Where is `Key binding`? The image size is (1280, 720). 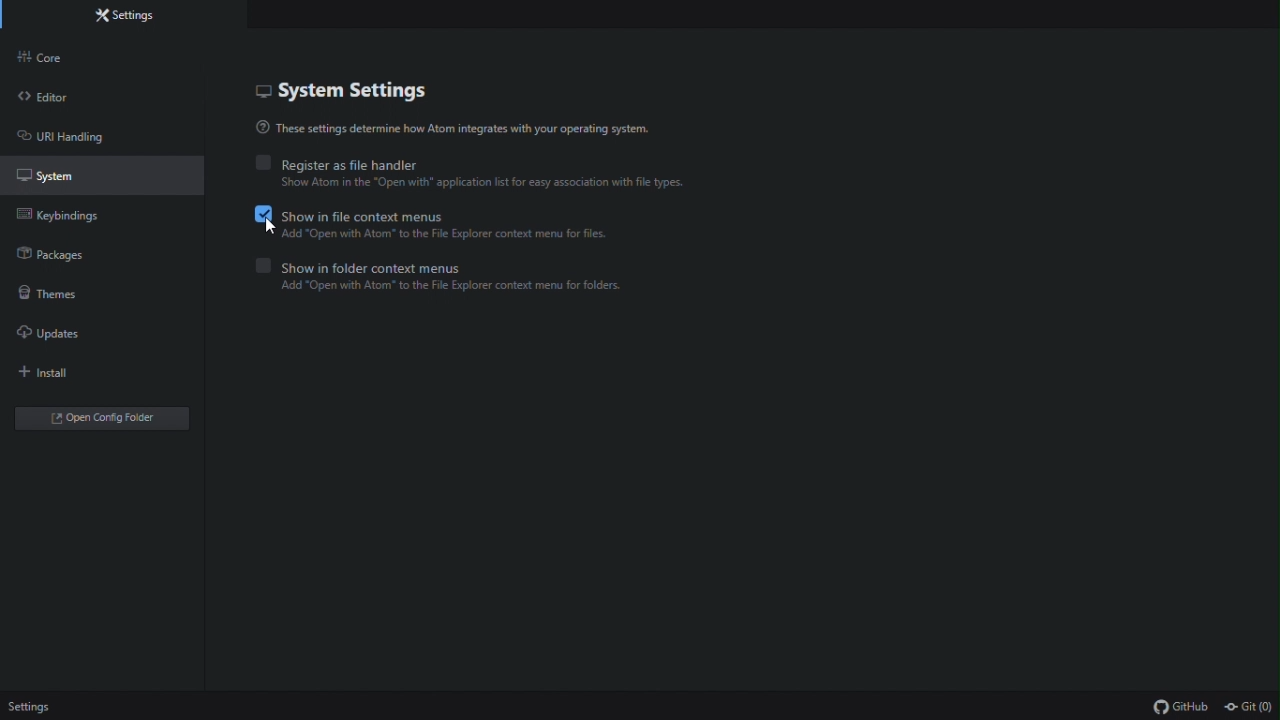 Key binding is located at coordinates (67, 220).